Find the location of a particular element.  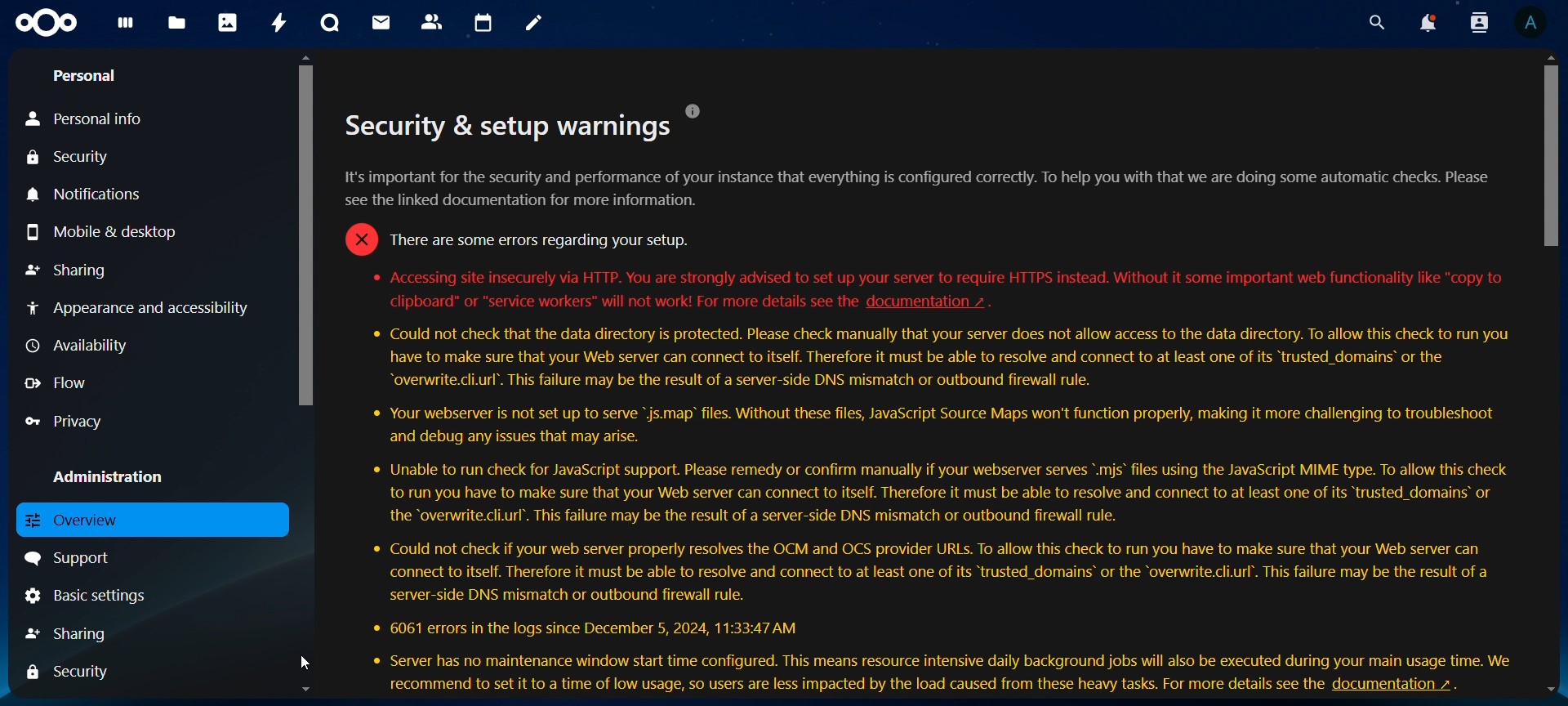

Security & setup warnings ° is located at coordinates (516, 123).